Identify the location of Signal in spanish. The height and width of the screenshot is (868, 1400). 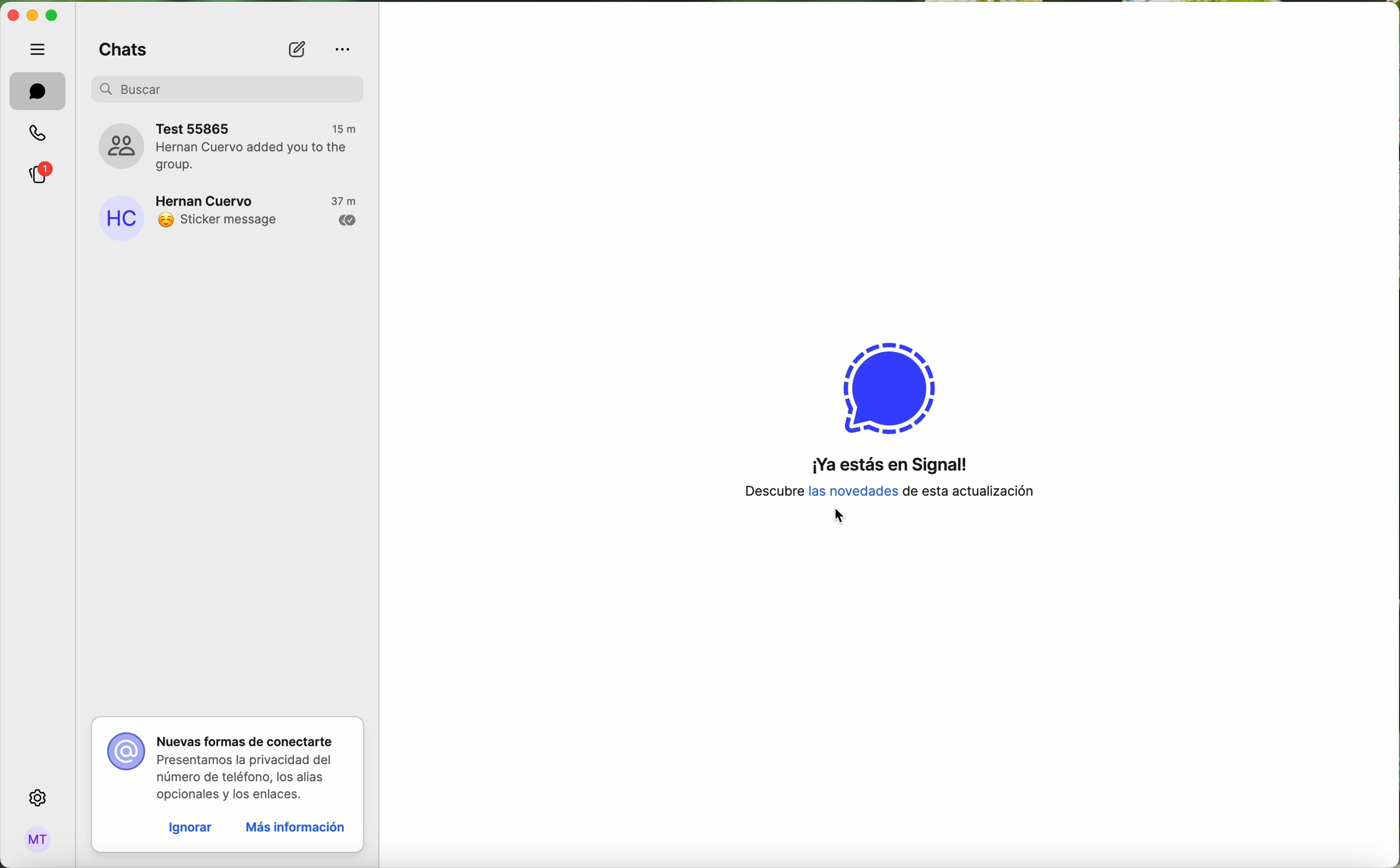
(883, 474).